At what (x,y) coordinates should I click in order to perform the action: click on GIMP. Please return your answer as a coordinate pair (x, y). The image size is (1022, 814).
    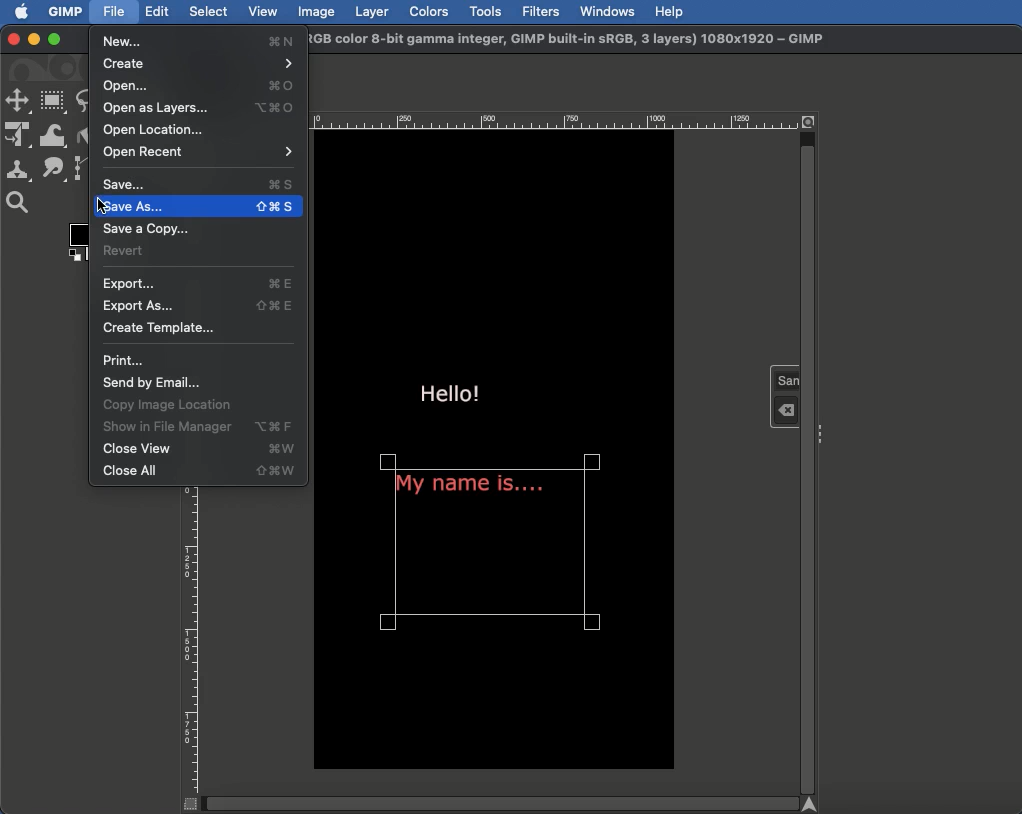
    Looking at the image, I should click on (67, 12).